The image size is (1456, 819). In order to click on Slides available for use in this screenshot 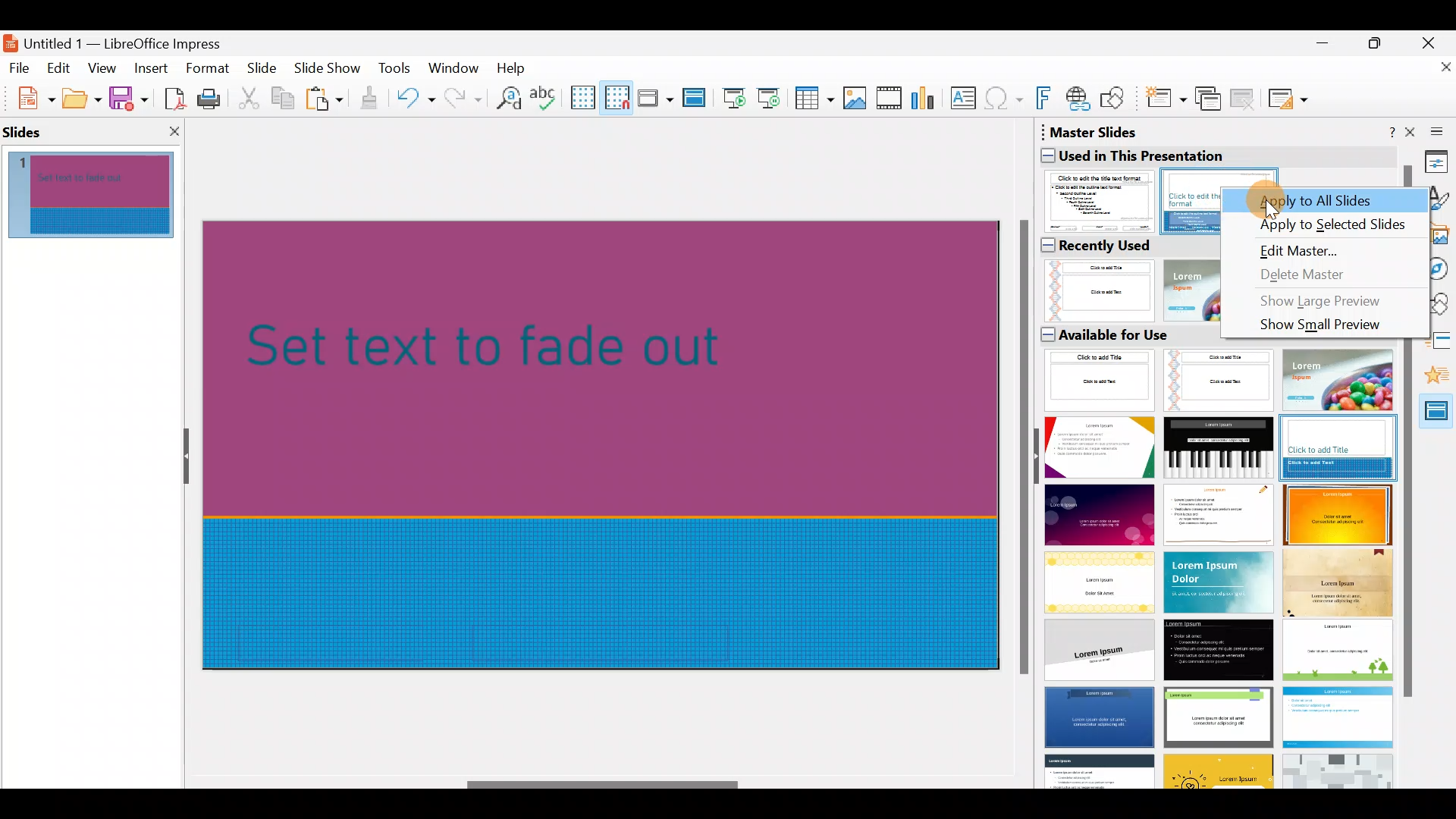, I will do `click(1219, 568)`.